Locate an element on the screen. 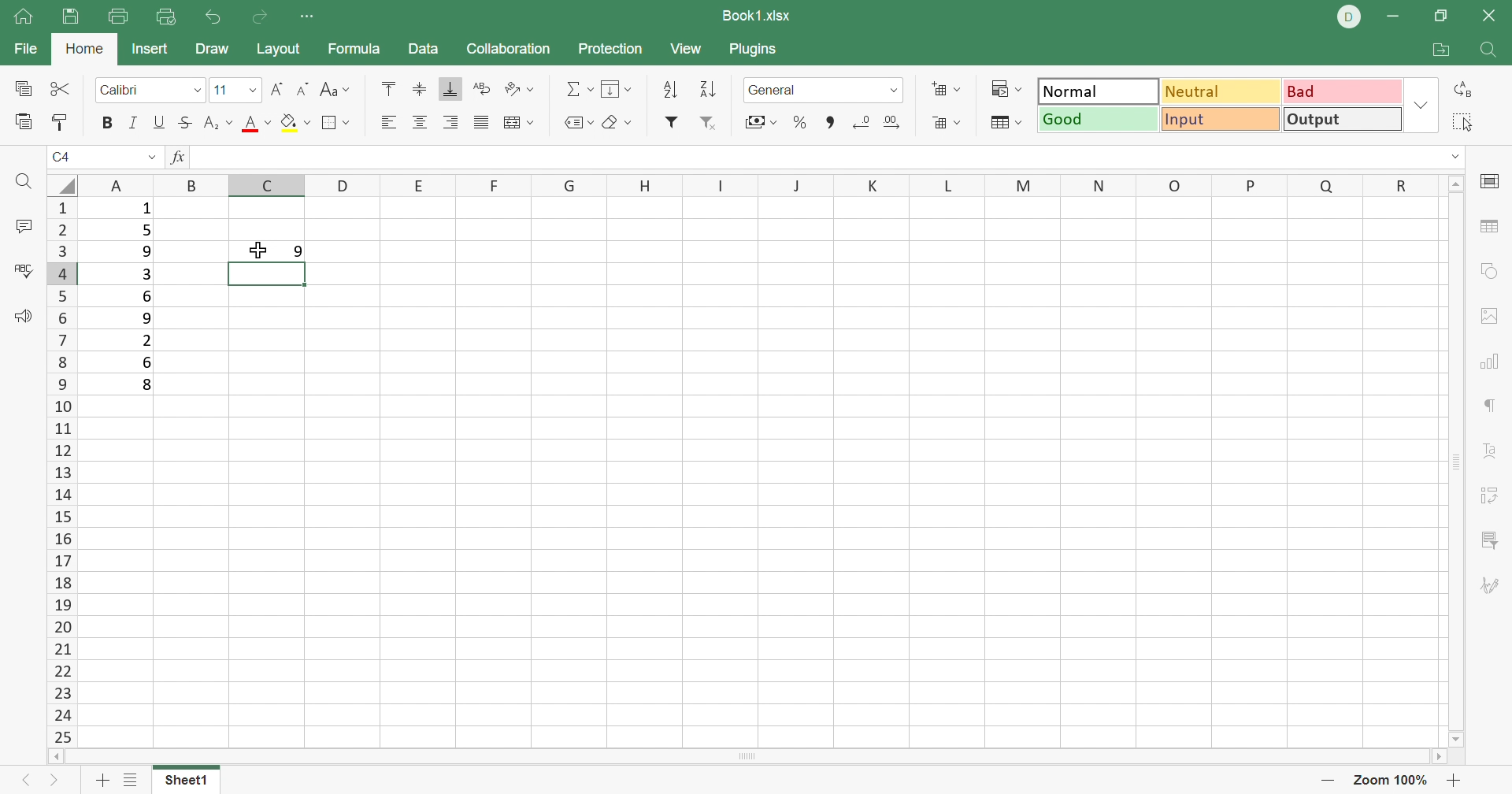 The height and width of the screenshot is (794, 1512). Wrap Text is located at coordinates (484, 91).